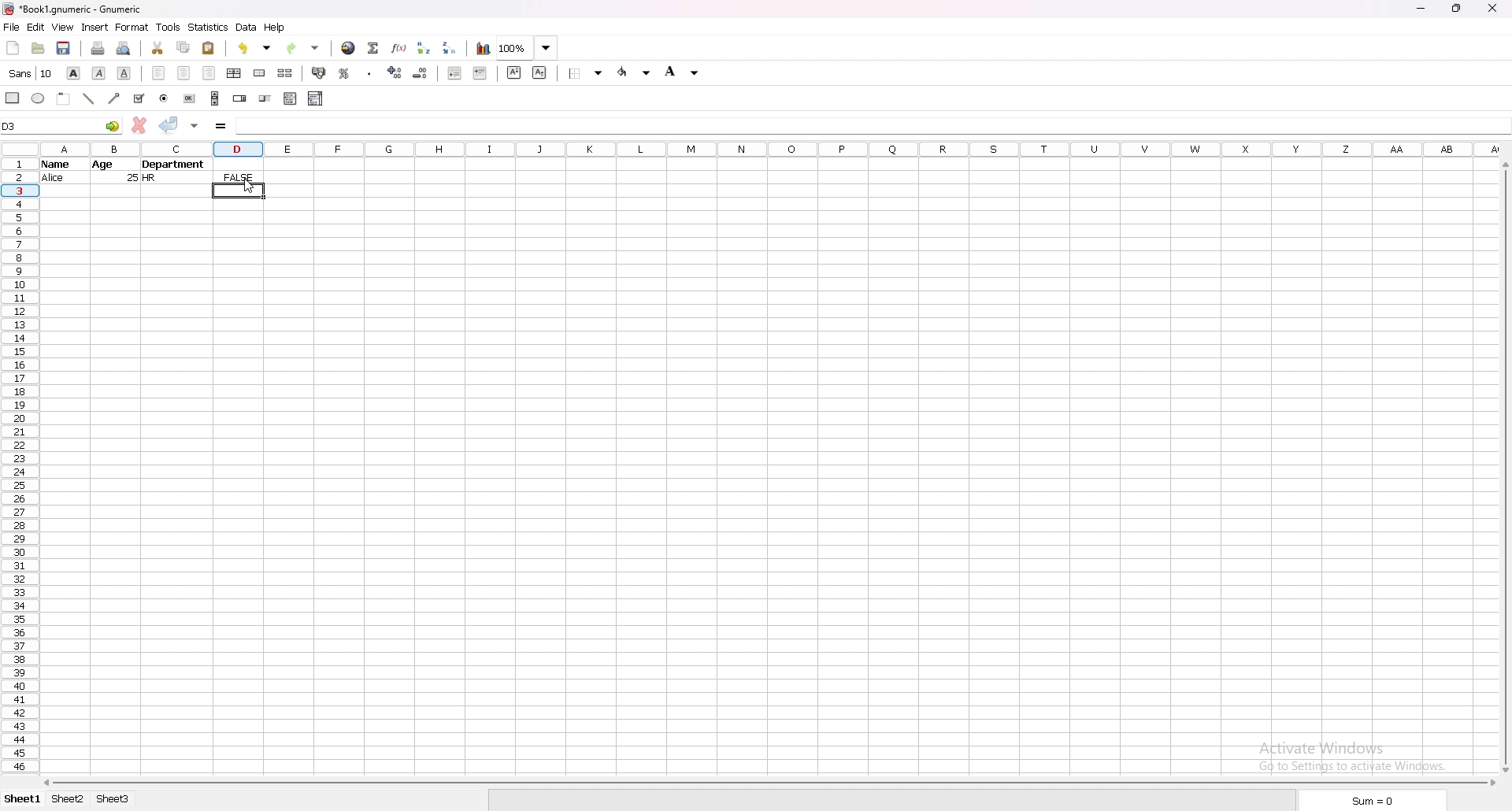 The image size is (1512, 811). I want to click on insert, so click(94, 28).